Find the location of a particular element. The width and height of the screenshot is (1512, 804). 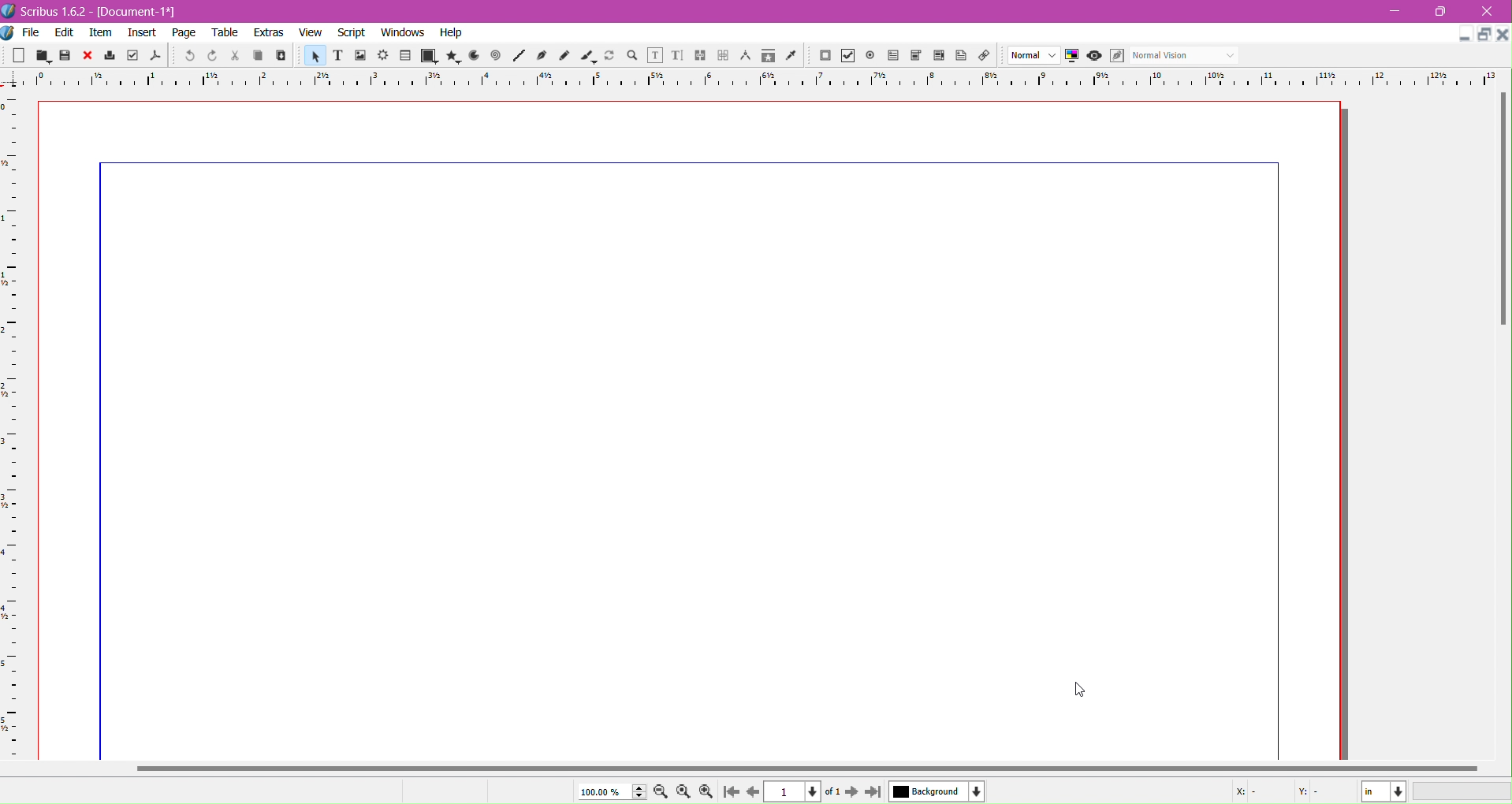

go to previous page is located at coordinates (753, 792).